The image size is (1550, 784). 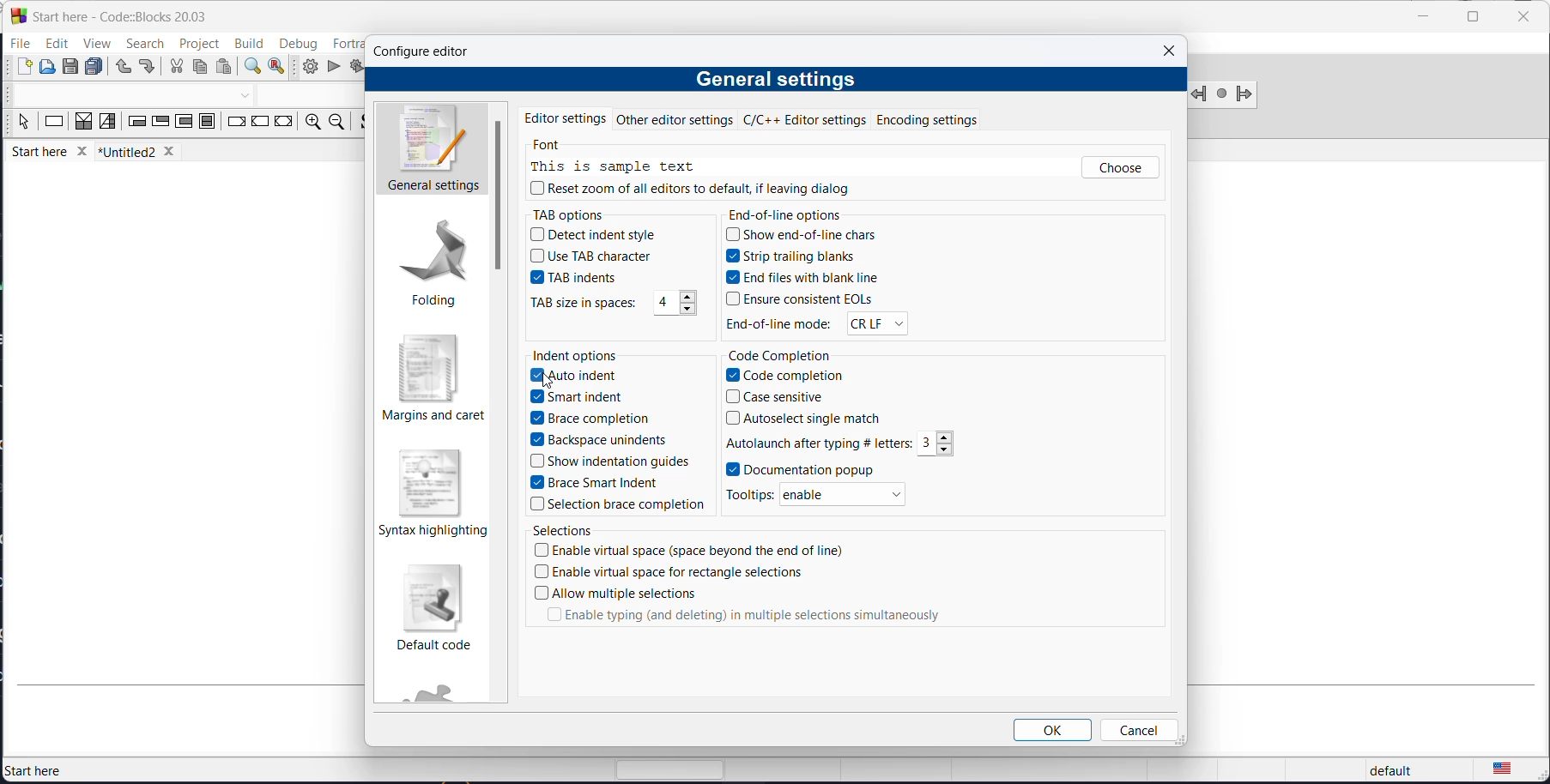 I want to click on fortran, so click(x=347, y=43).